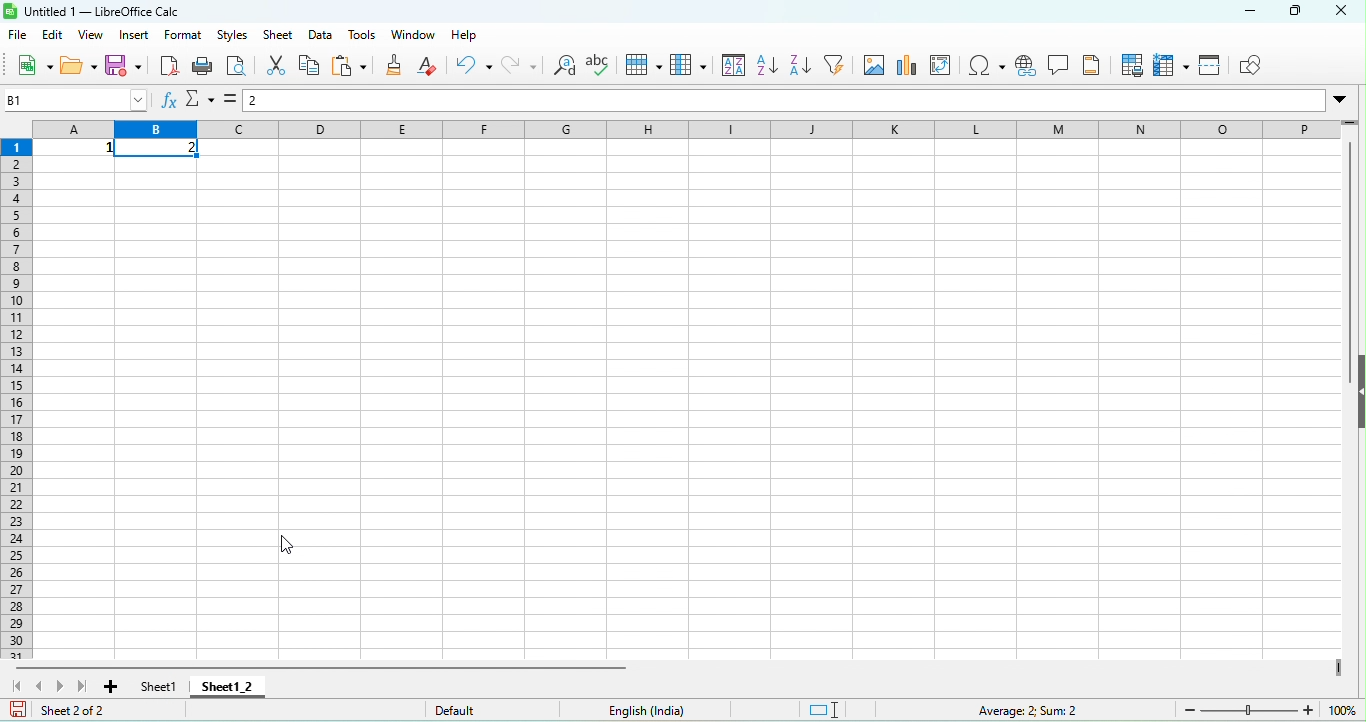 This screenshot has height=722, width=1366. What do you see at coordinates (522, 68) in the screenshot?
I see `redo` at bounding box center [522, 68].